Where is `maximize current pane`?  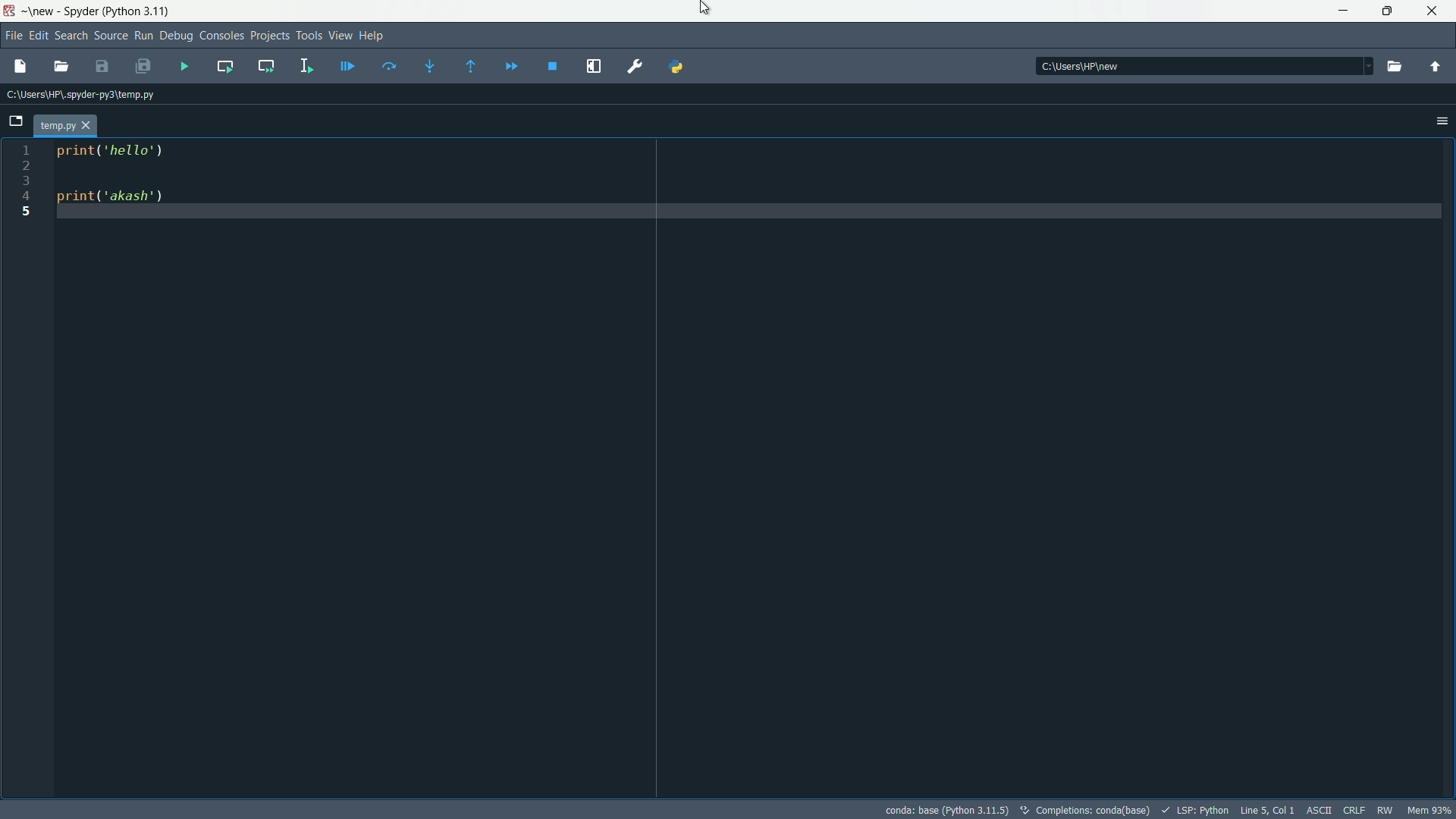 maximize current pane is located at coordinates (595, 67).